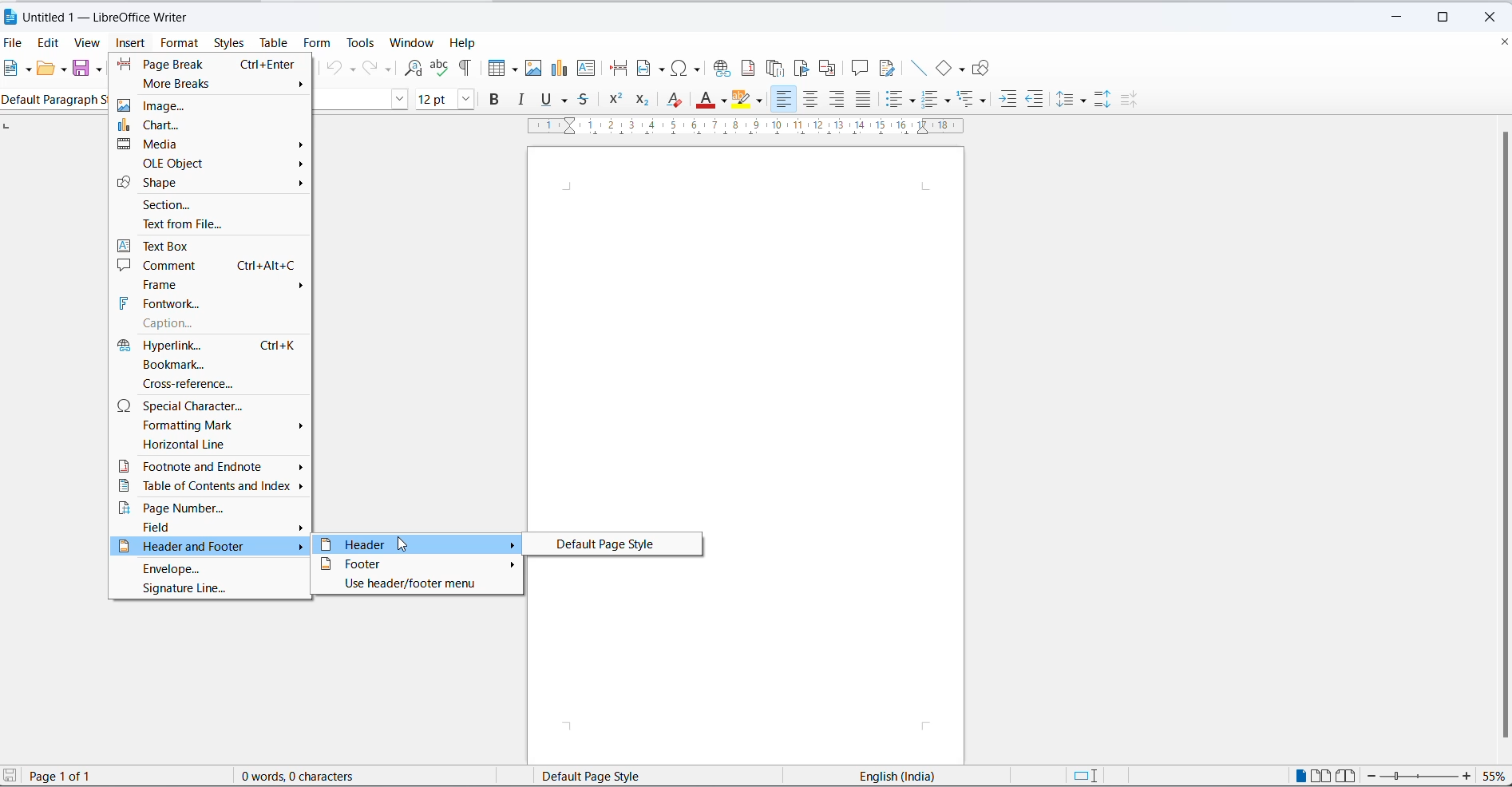 This screenshot has height=787, width=1512. What do you see at coordinates (897, 100) in the screenshot?
I see `toggle unordered list` at bounding box center [897, 100].